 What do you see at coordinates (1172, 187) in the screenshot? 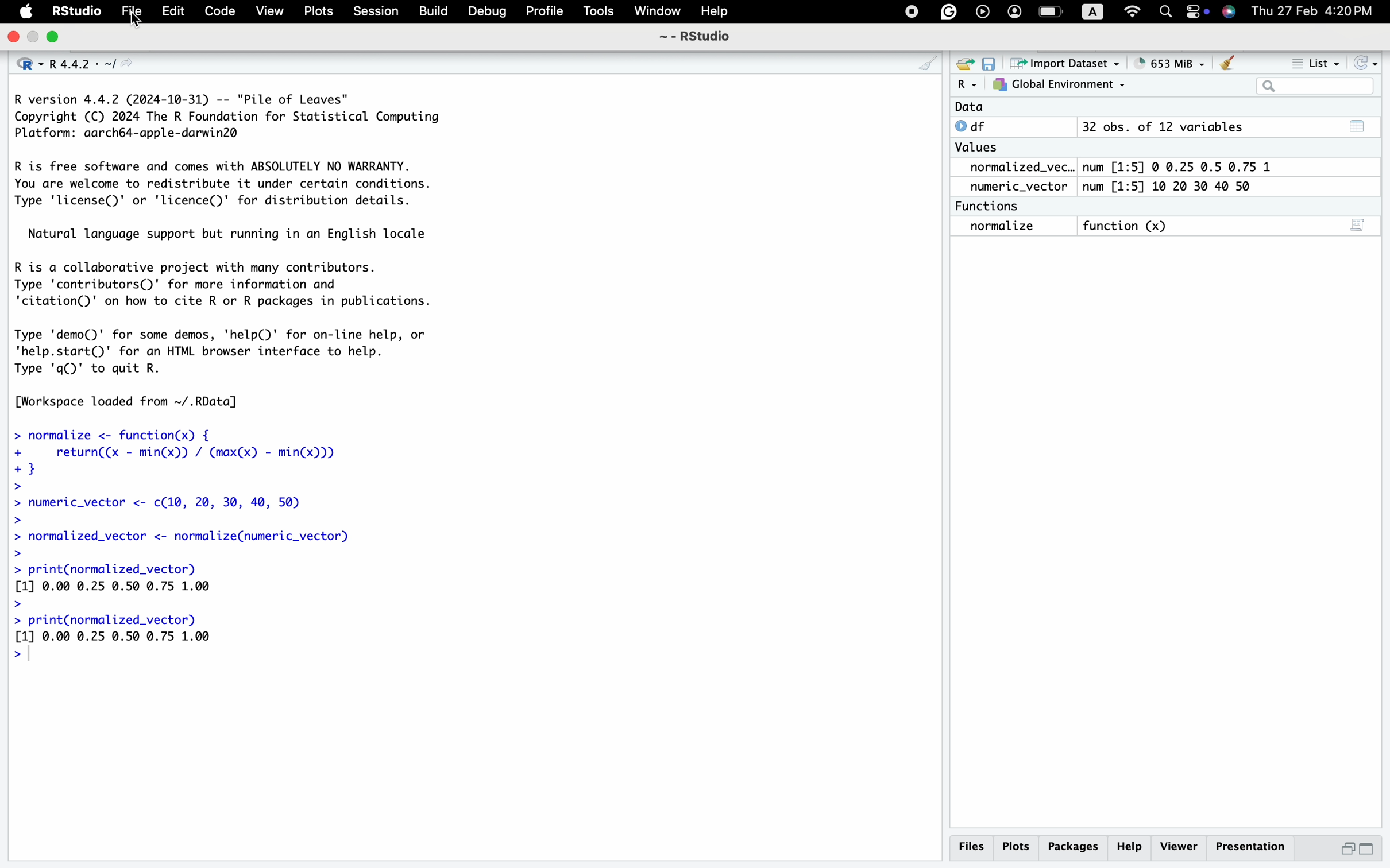
I see `num [1:5] 10 20 30 40 50 ` at bounding box center [1172, 187].